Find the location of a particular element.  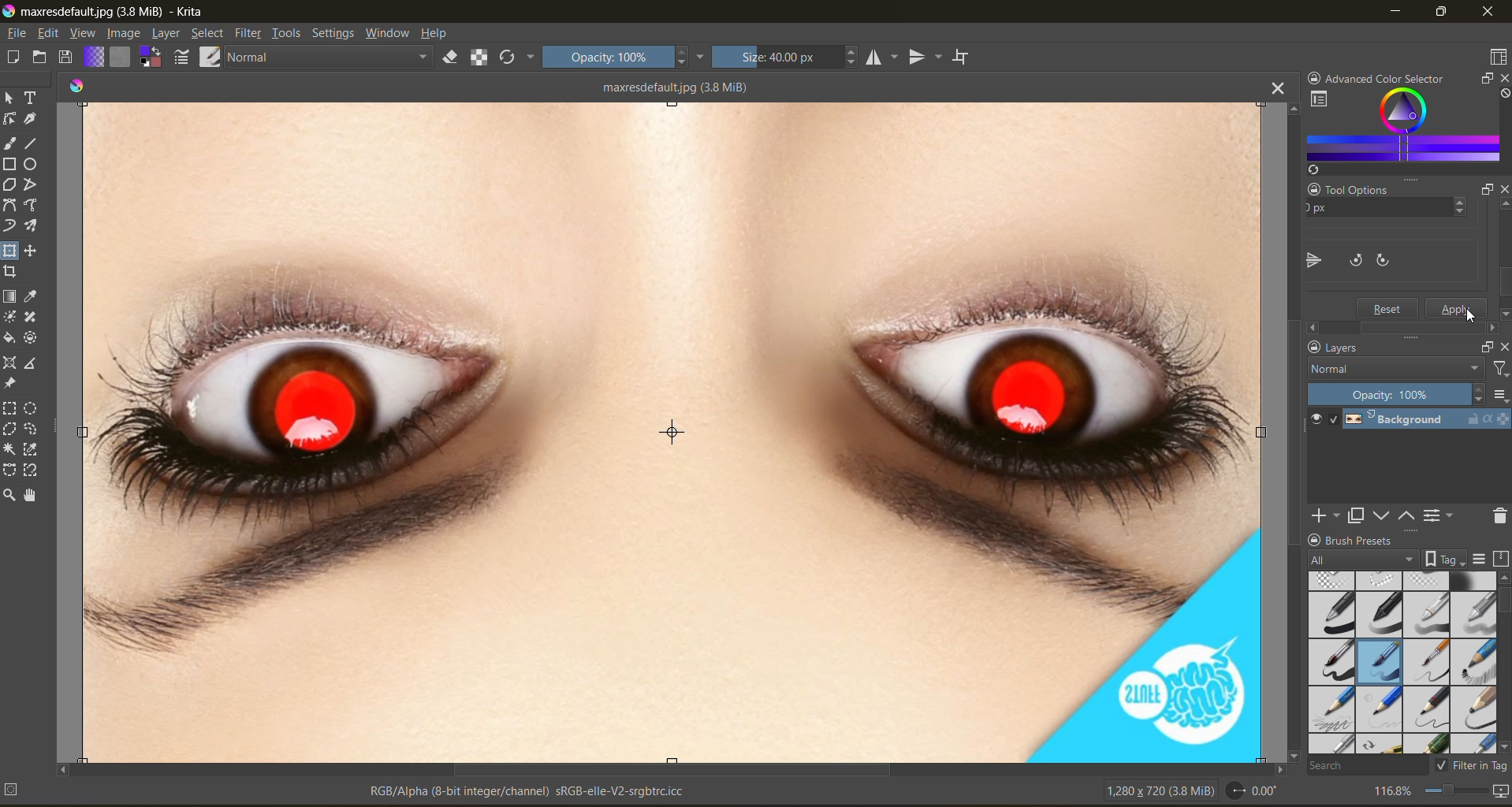

Save is located at coordinates (1388, 307).